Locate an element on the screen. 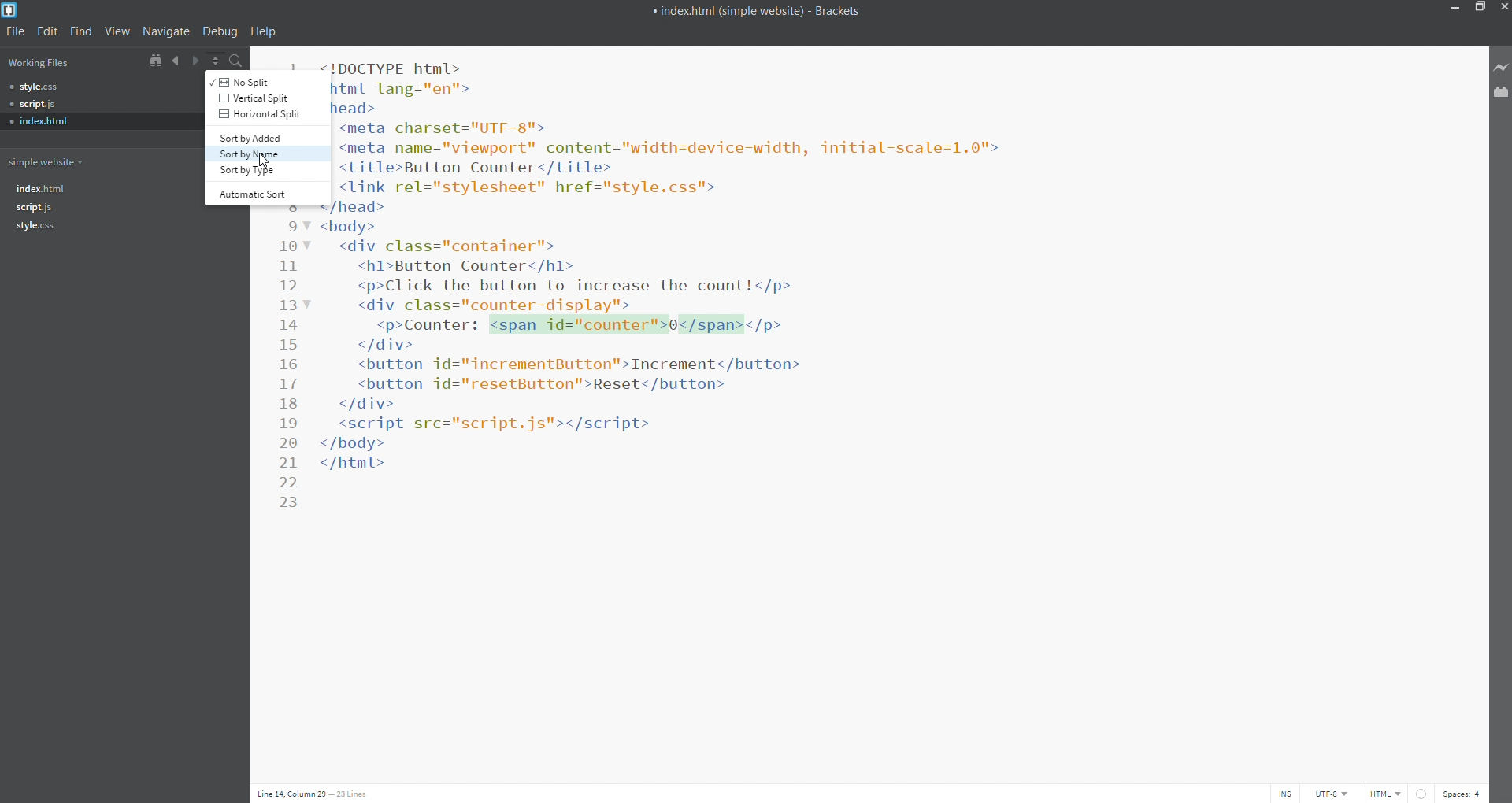 Image resolution: width=1512 pixels, height=803 pixels. split icon is located at coordinates (214, 60).